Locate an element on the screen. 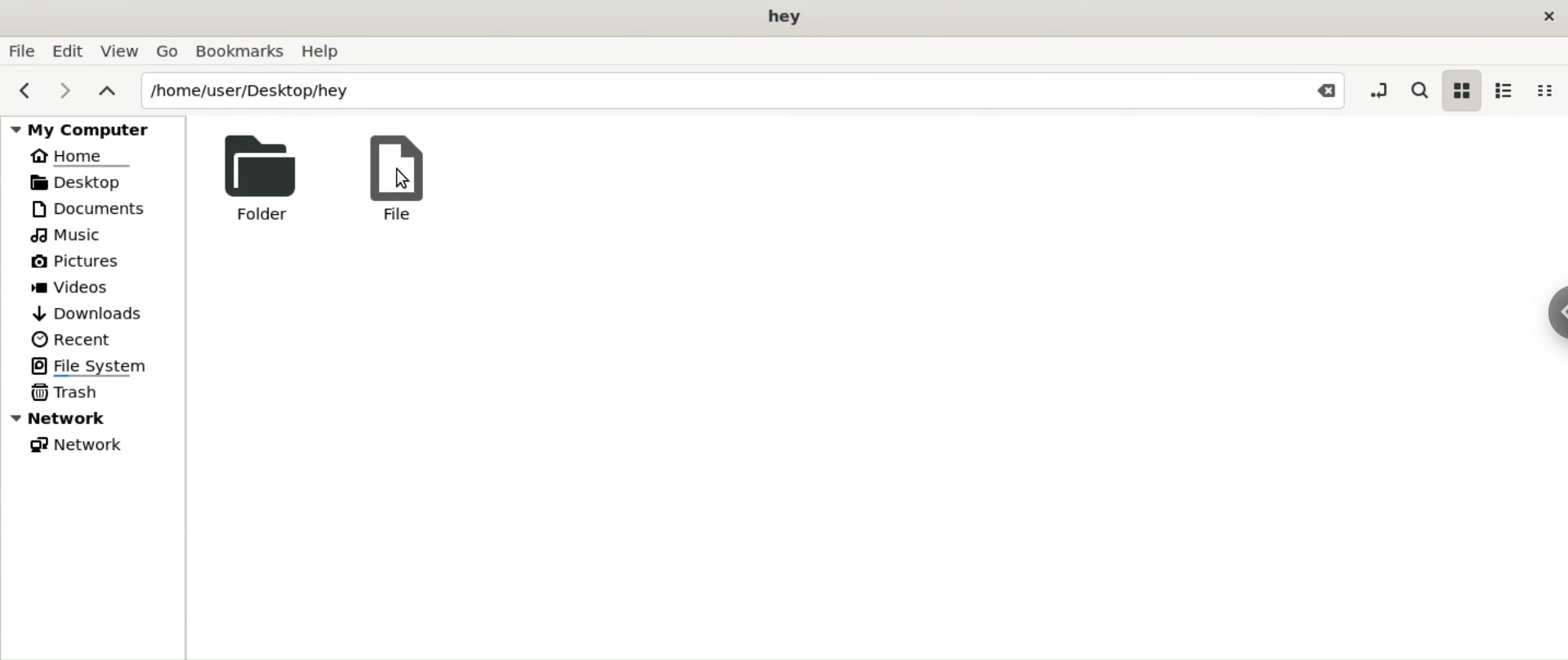 This screenshot has width=1568, height=660. Videos is located at coordinates (83, 288).